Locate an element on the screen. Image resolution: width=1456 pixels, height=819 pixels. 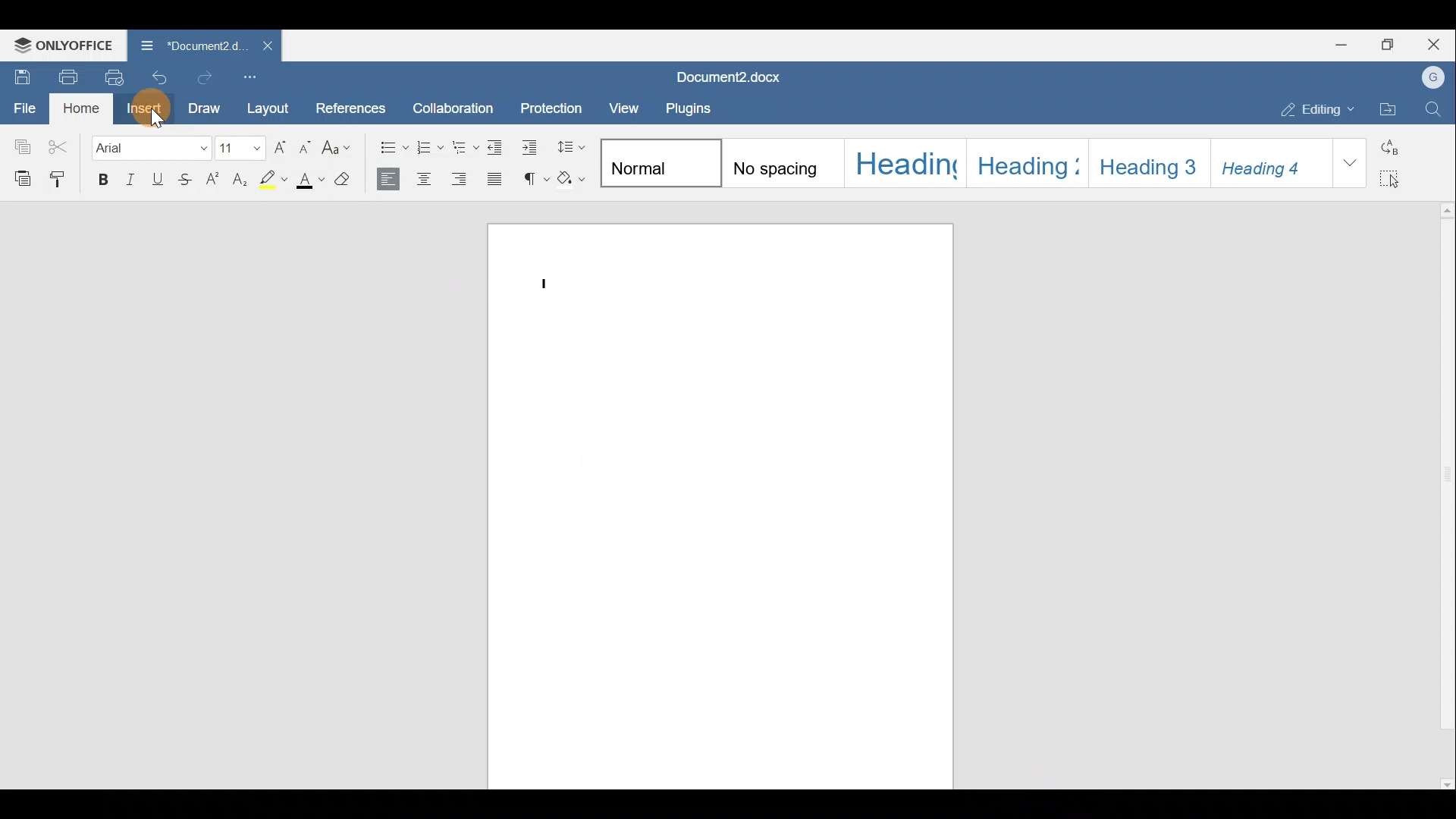
Document name is located at coordinates (187, 45).